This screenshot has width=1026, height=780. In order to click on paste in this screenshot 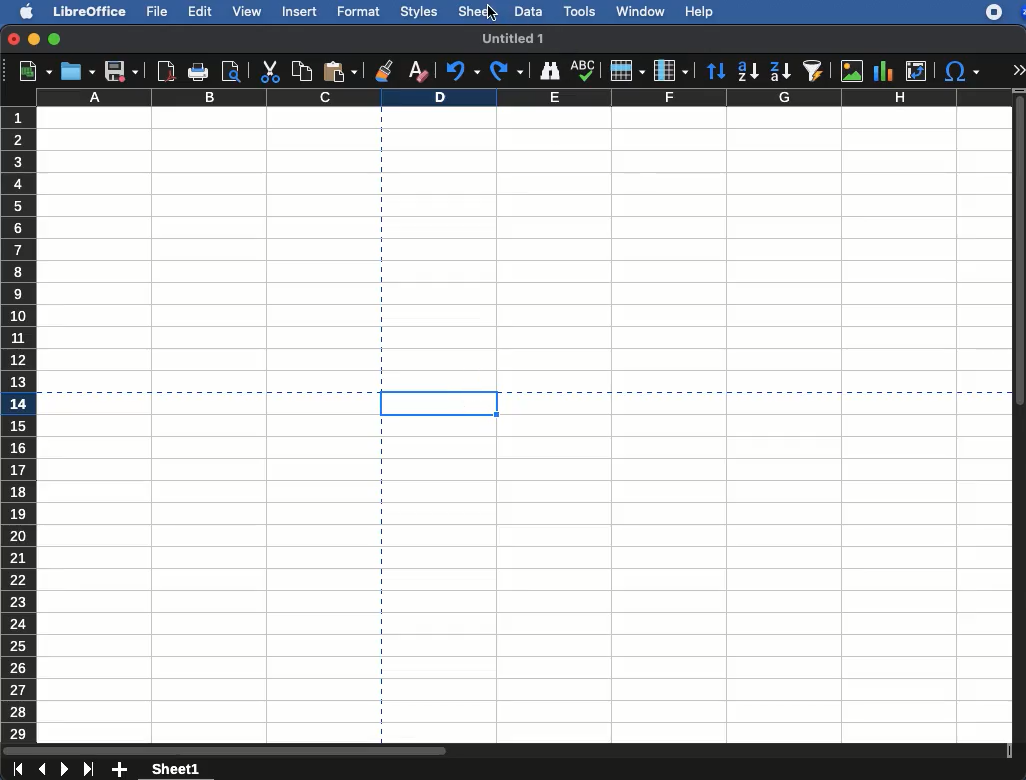, I will do `click(343, 70)`.